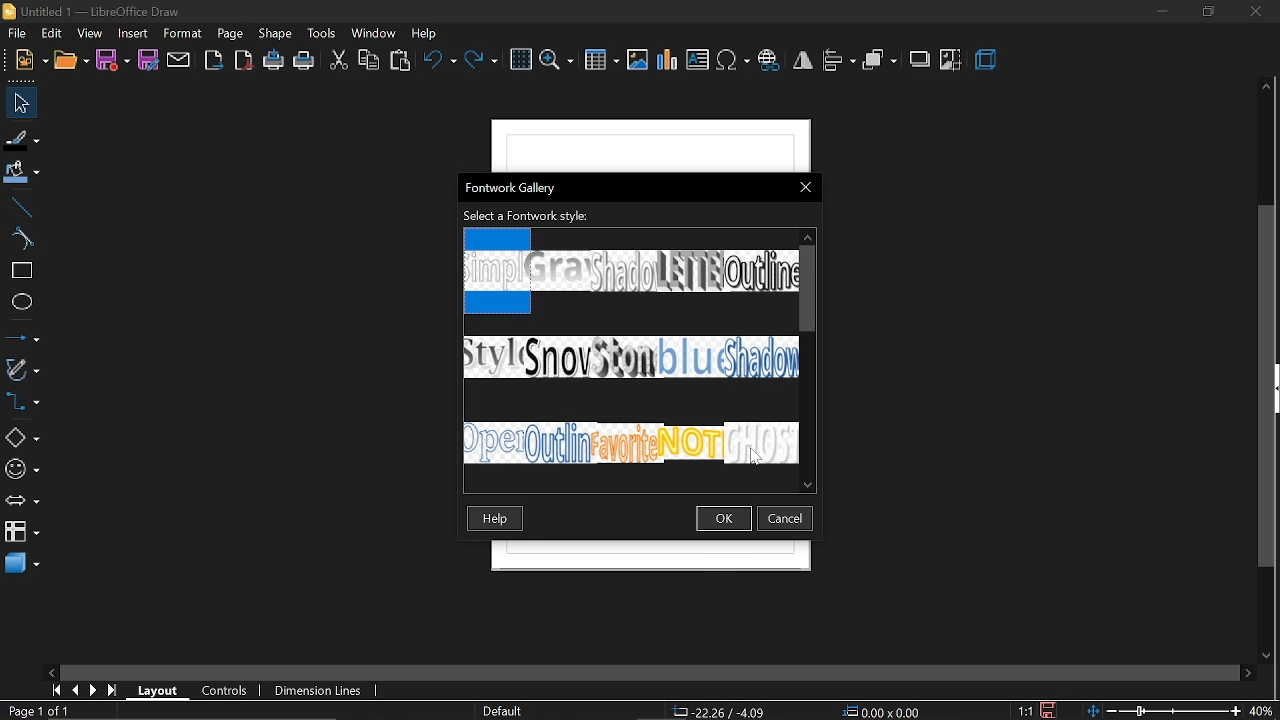 The width and height of the screenshot is (1280, 720). What do you see at coordinates (427, 35) in the screenshot?
I see `help` at bounding box center [427, 35].